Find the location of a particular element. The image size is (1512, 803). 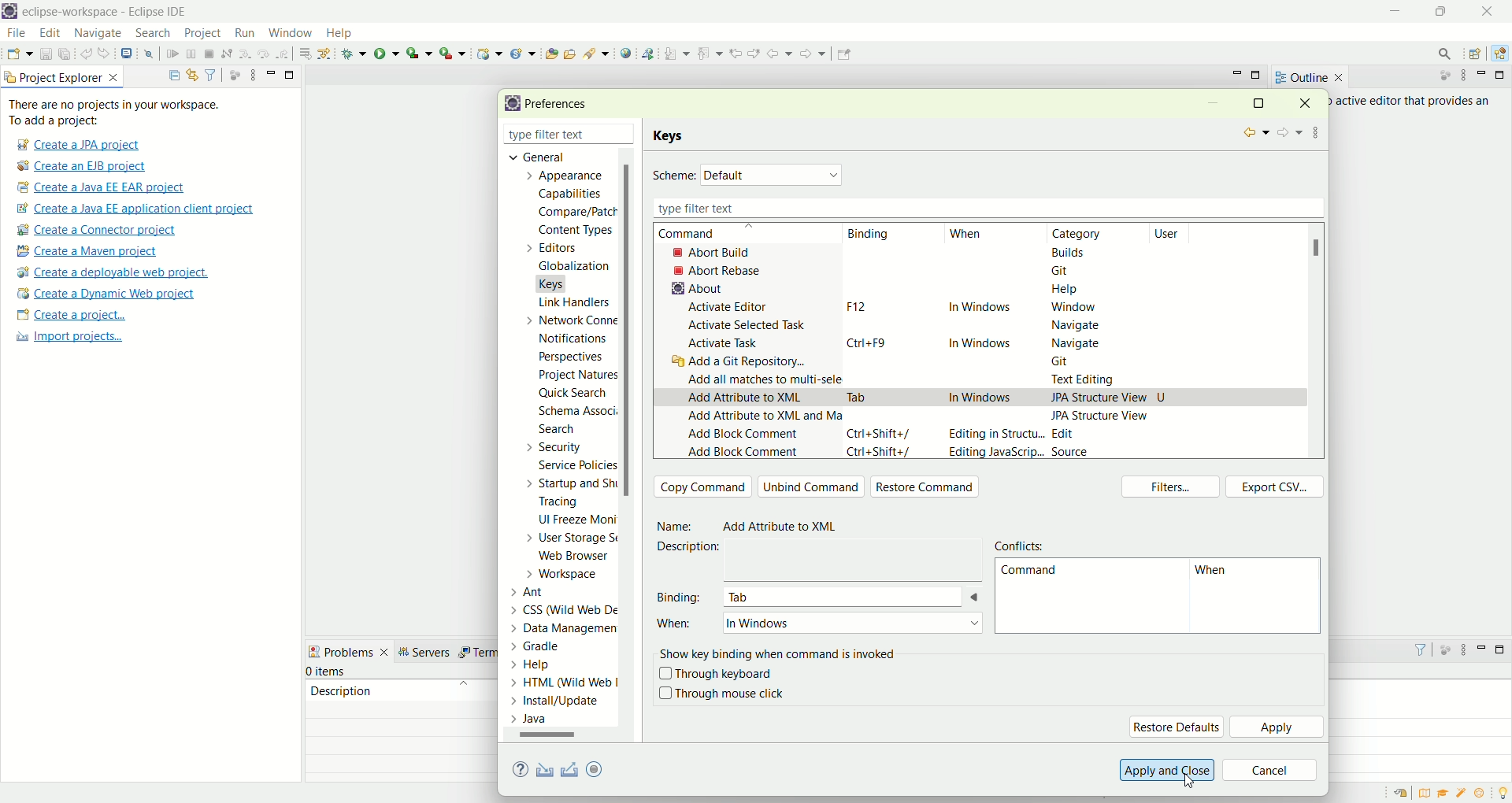

preferences is located at coordinates (561, 105).